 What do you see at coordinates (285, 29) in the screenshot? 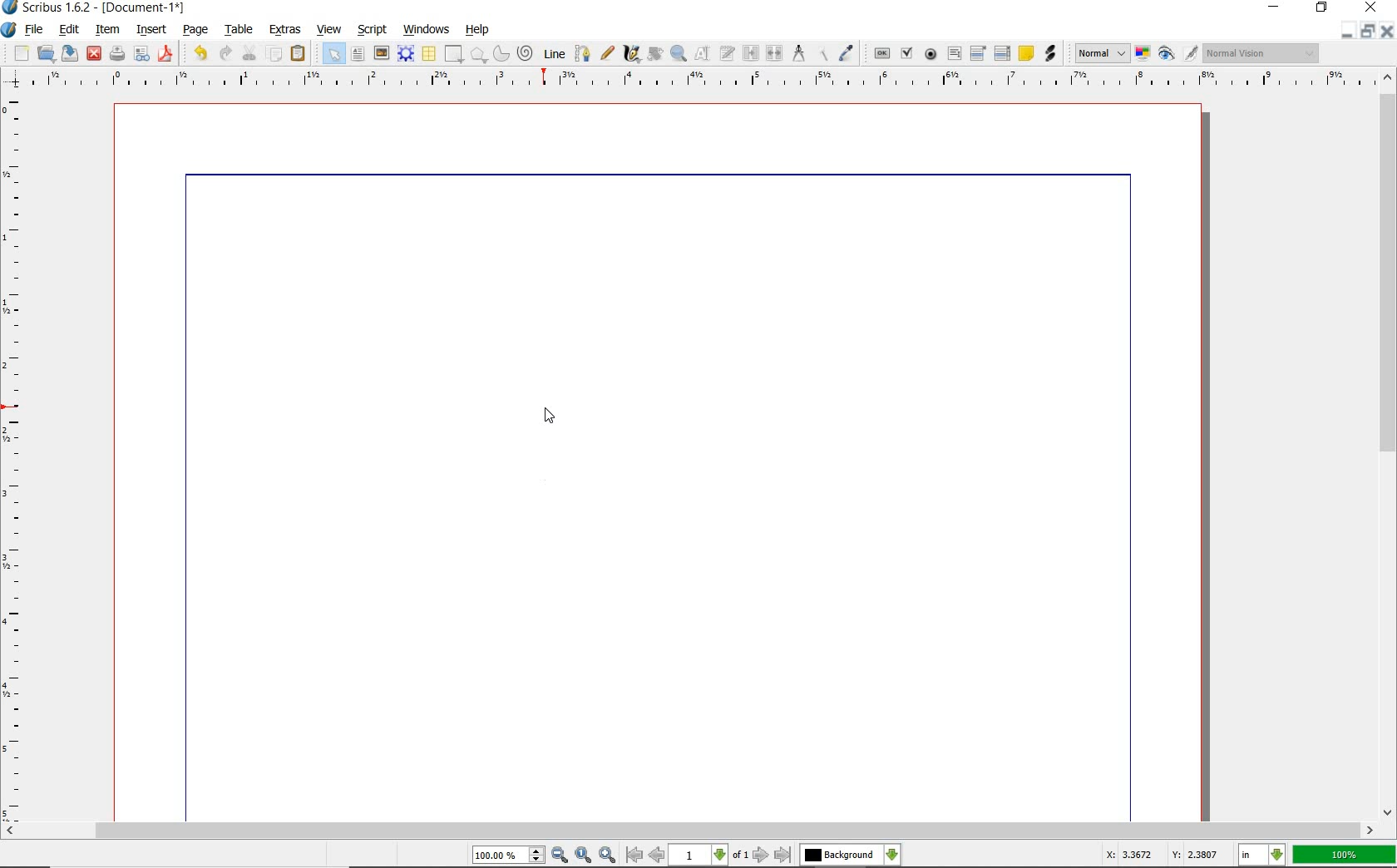
I see `extras` at bounding box center [285, 29].